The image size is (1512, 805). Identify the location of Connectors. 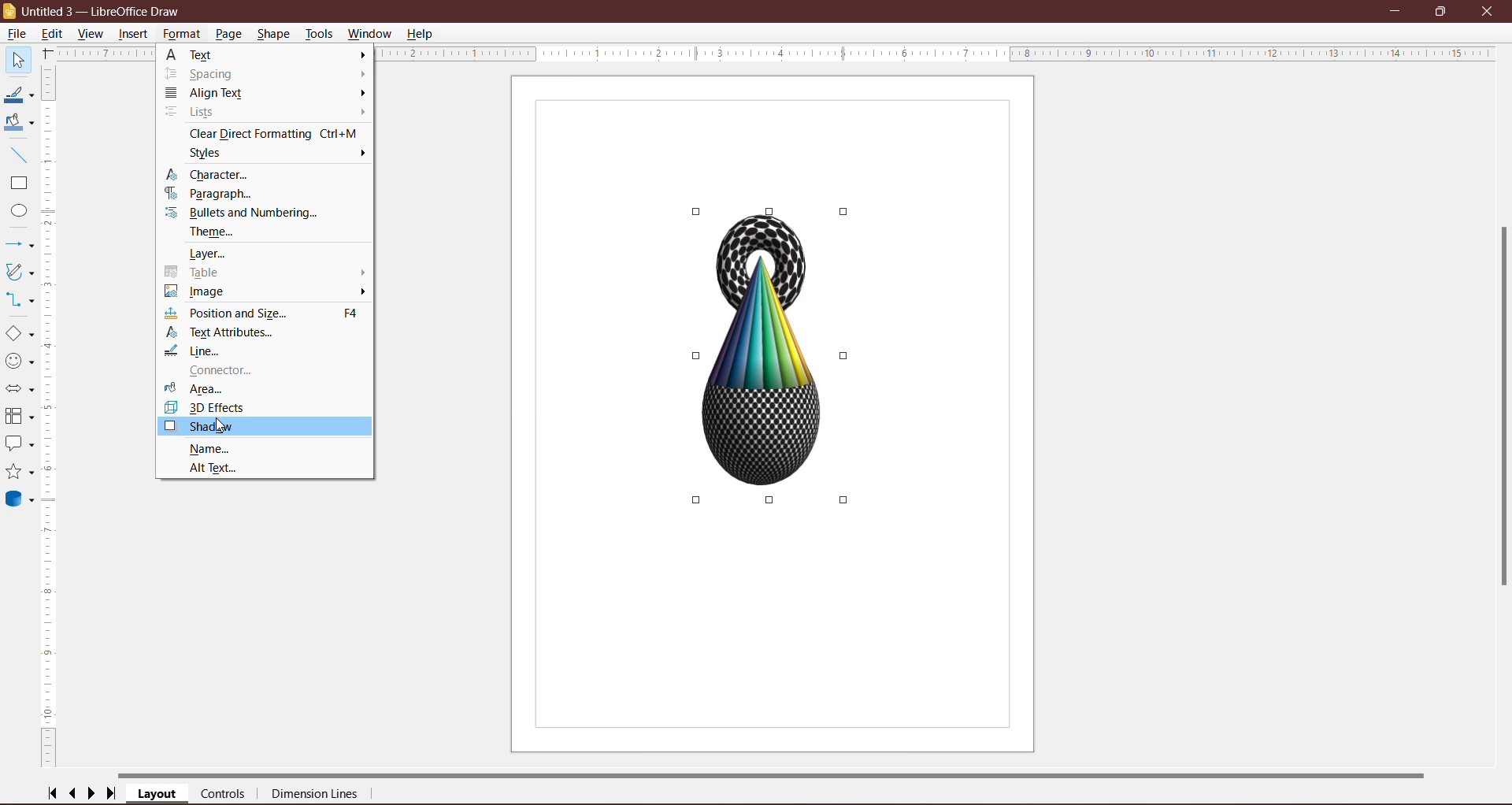
(20, 299).